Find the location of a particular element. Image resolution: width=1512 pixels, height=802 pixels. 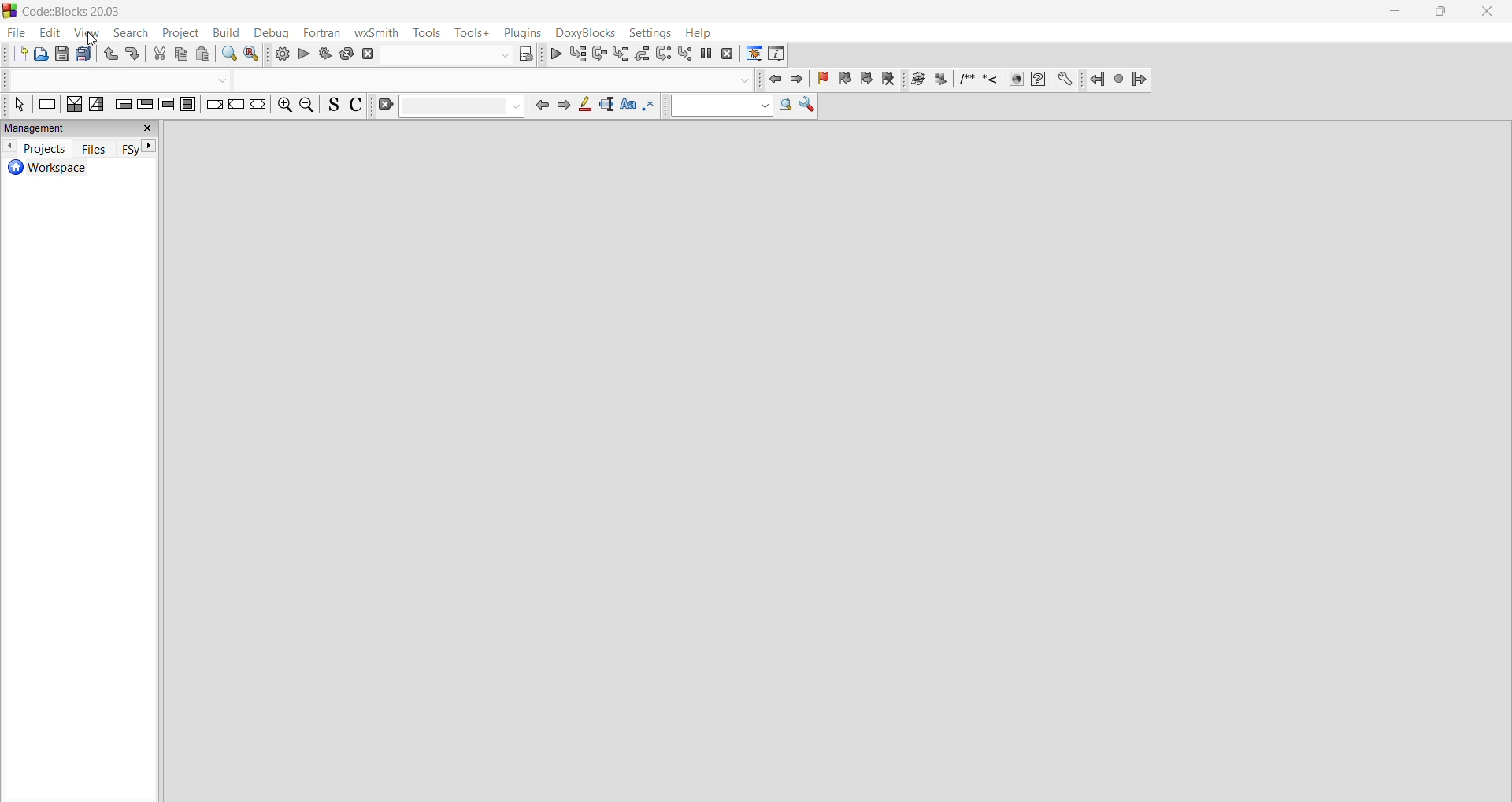

next is located at coordinates (562, 107).